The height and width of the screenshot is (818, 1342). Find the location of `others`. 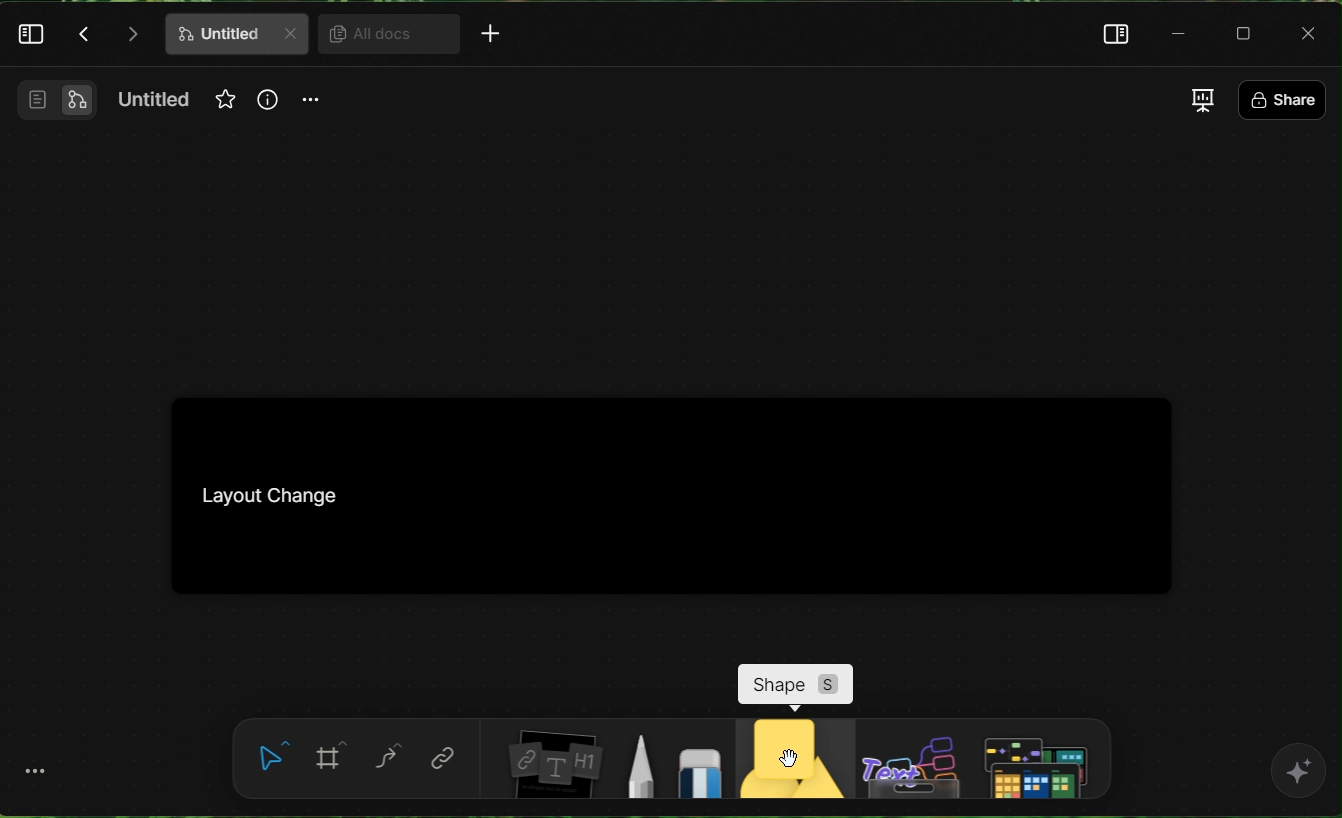

others is located at coordinates (911, 756).